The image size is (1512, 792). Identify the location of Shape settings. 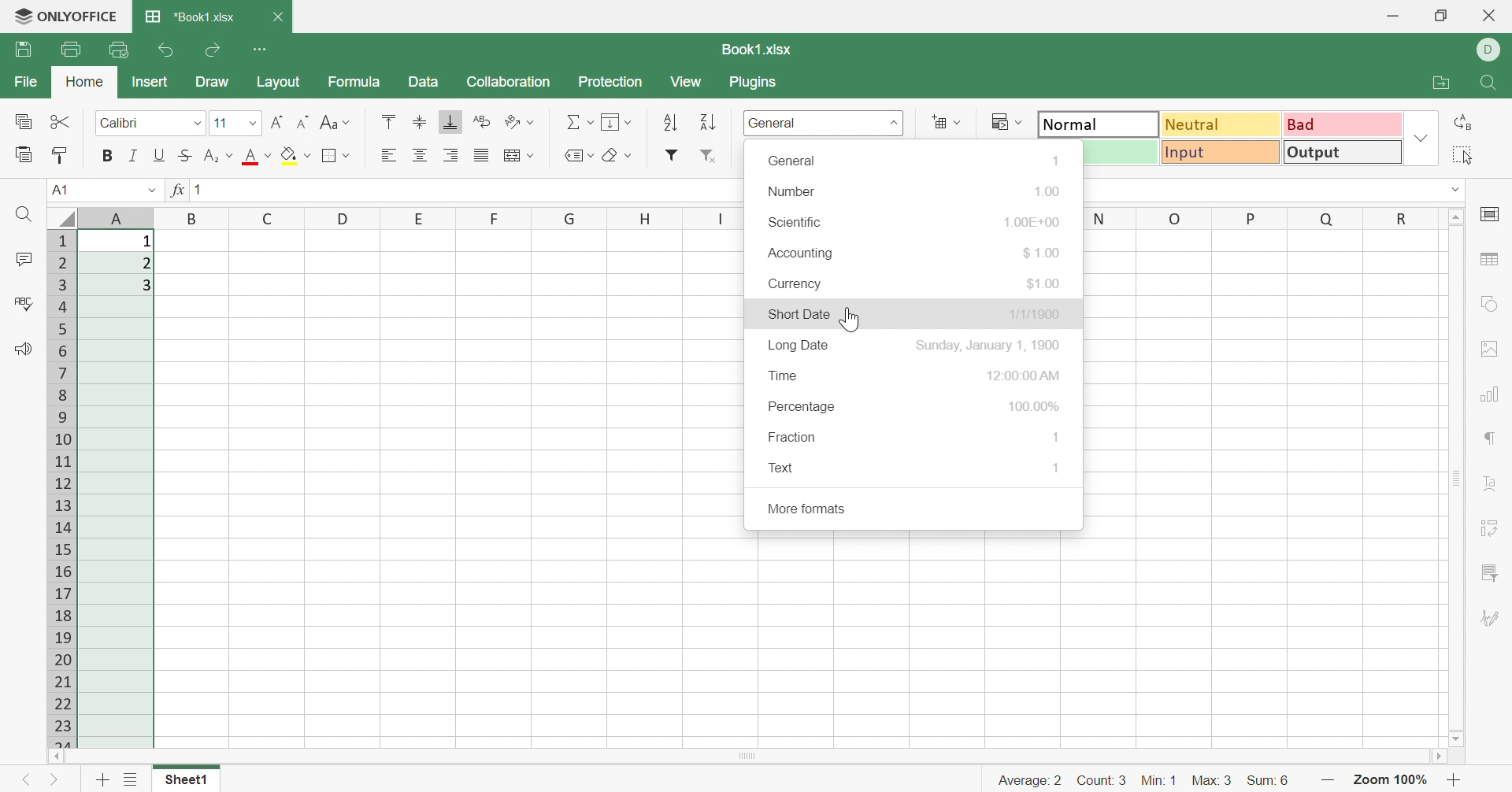
(1489, 305).